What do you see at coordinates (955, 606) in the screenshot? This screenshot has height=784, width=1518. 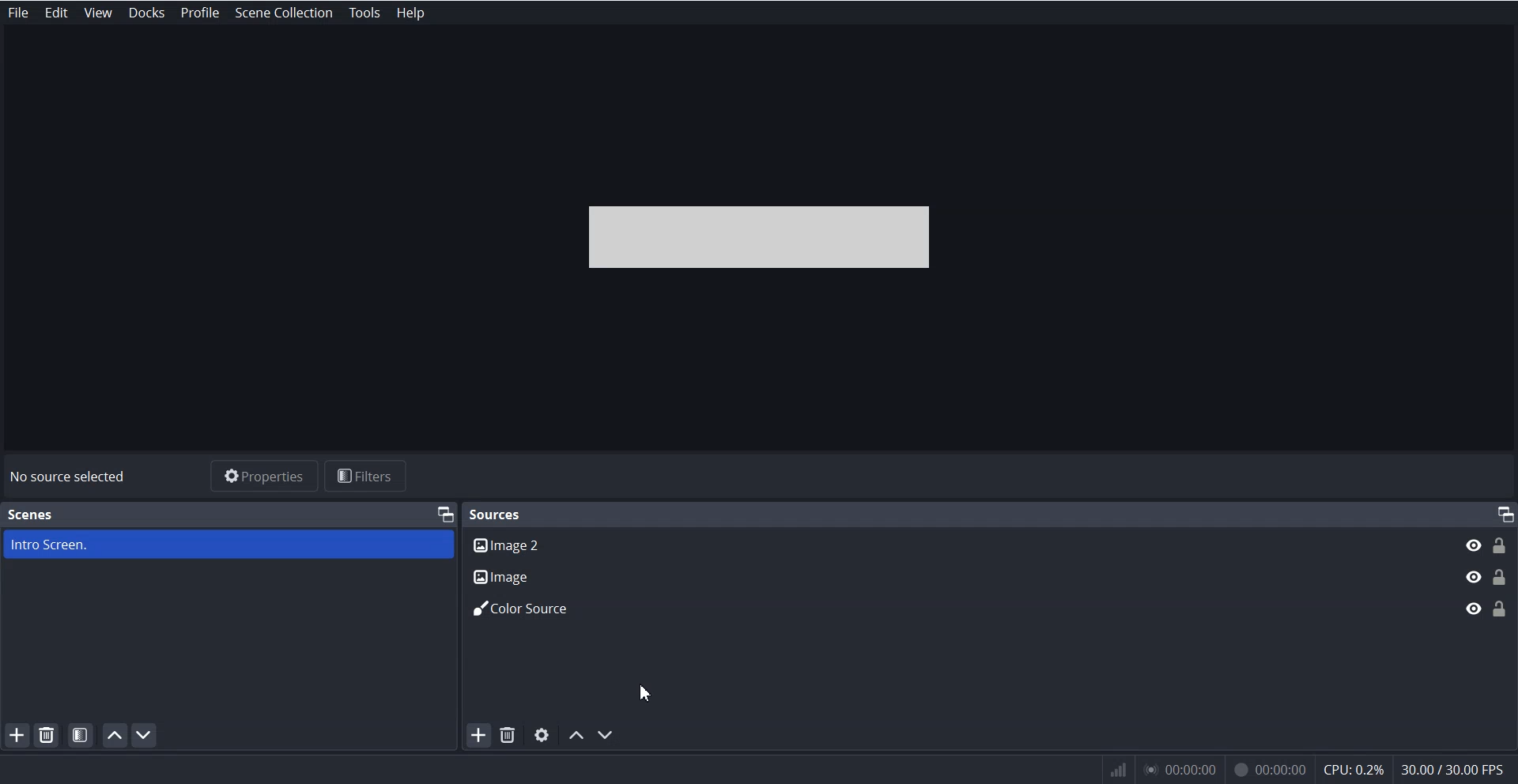 I see `Color Source` at bounding box center [955, 606].